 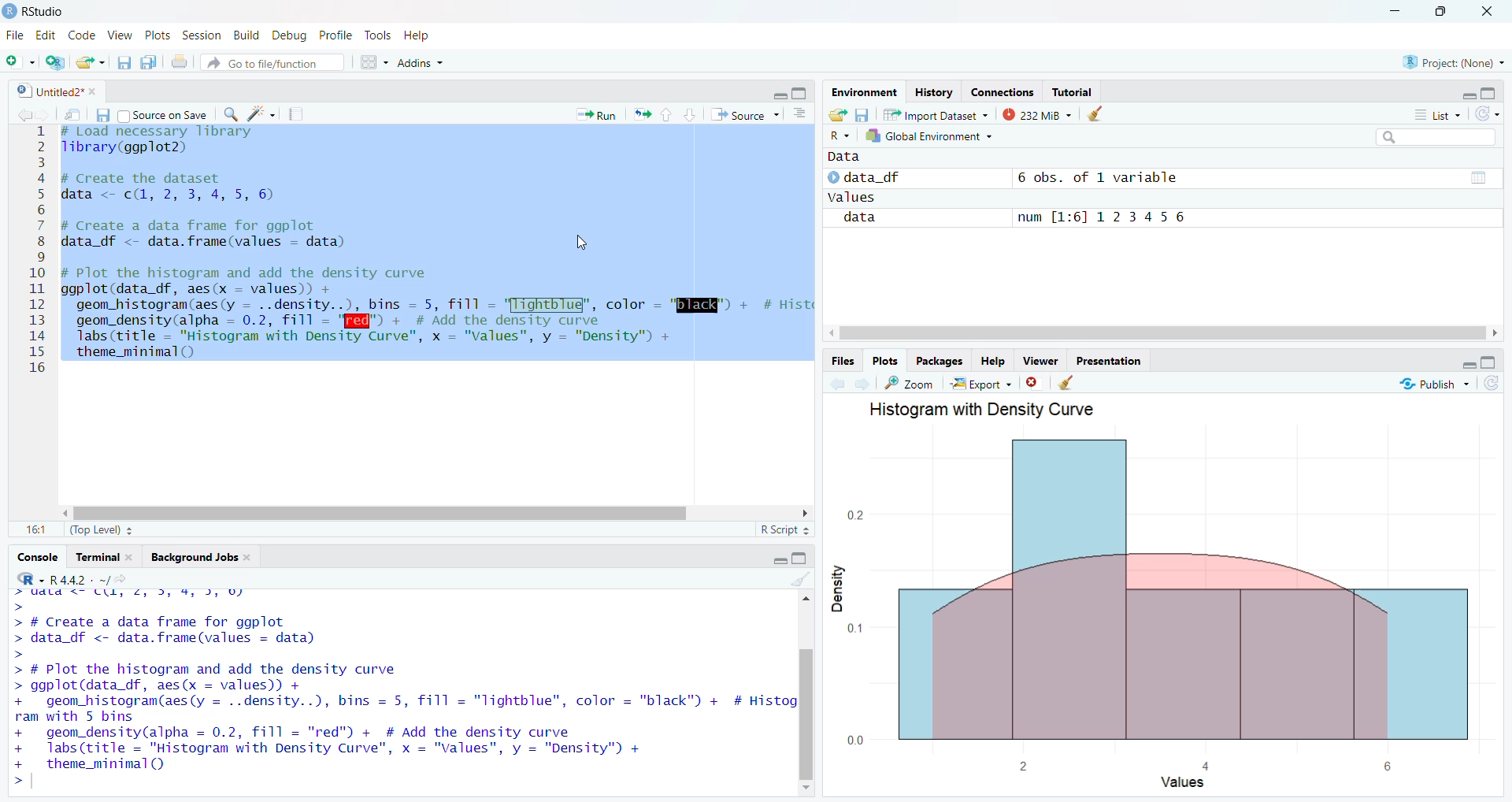 What do you see at coordinates (784, 528) in the screenshot?
I see `RScript` at bounding box center [784, 528].